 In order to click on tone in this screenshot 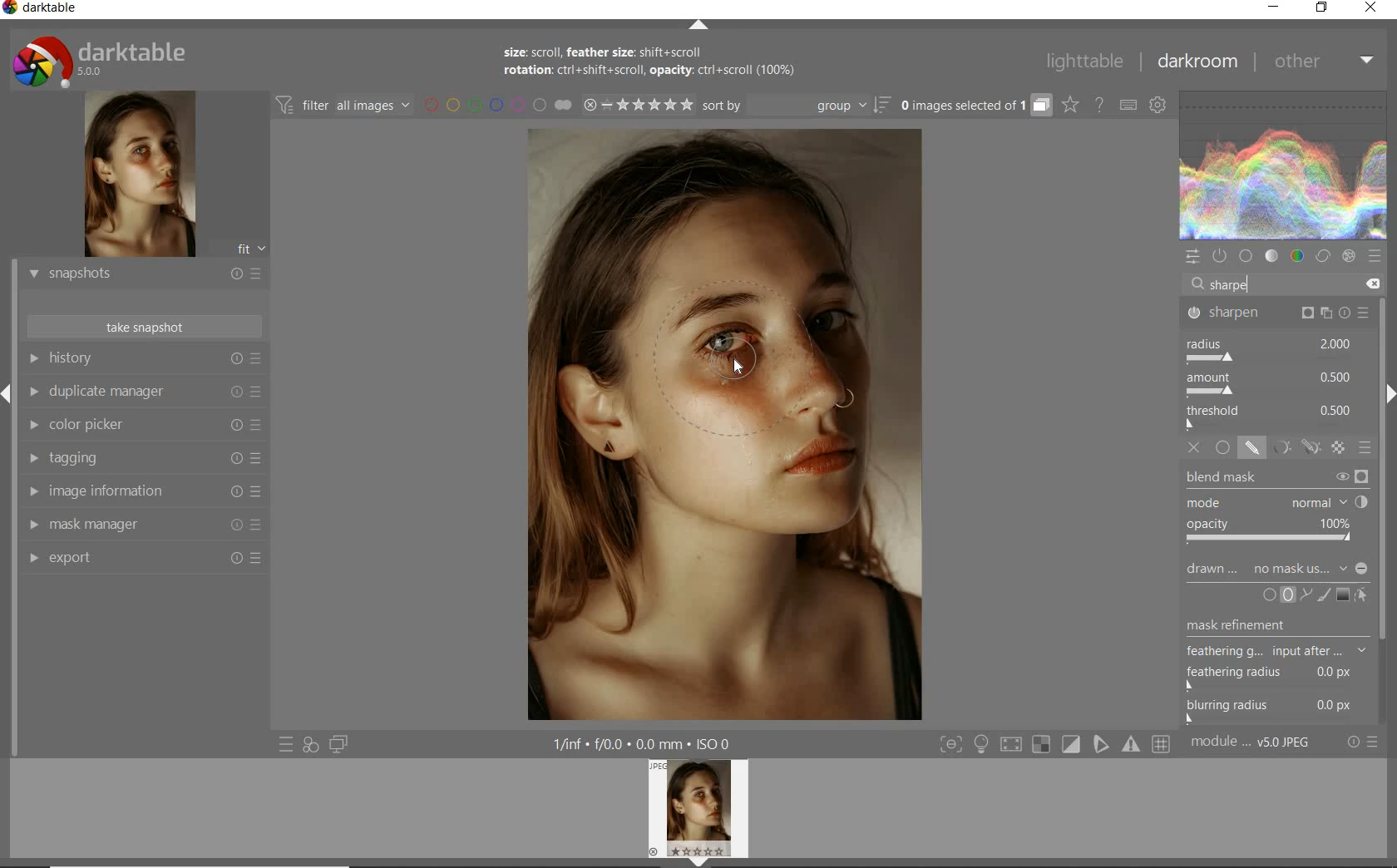, I will do `click(1272, 256)`.